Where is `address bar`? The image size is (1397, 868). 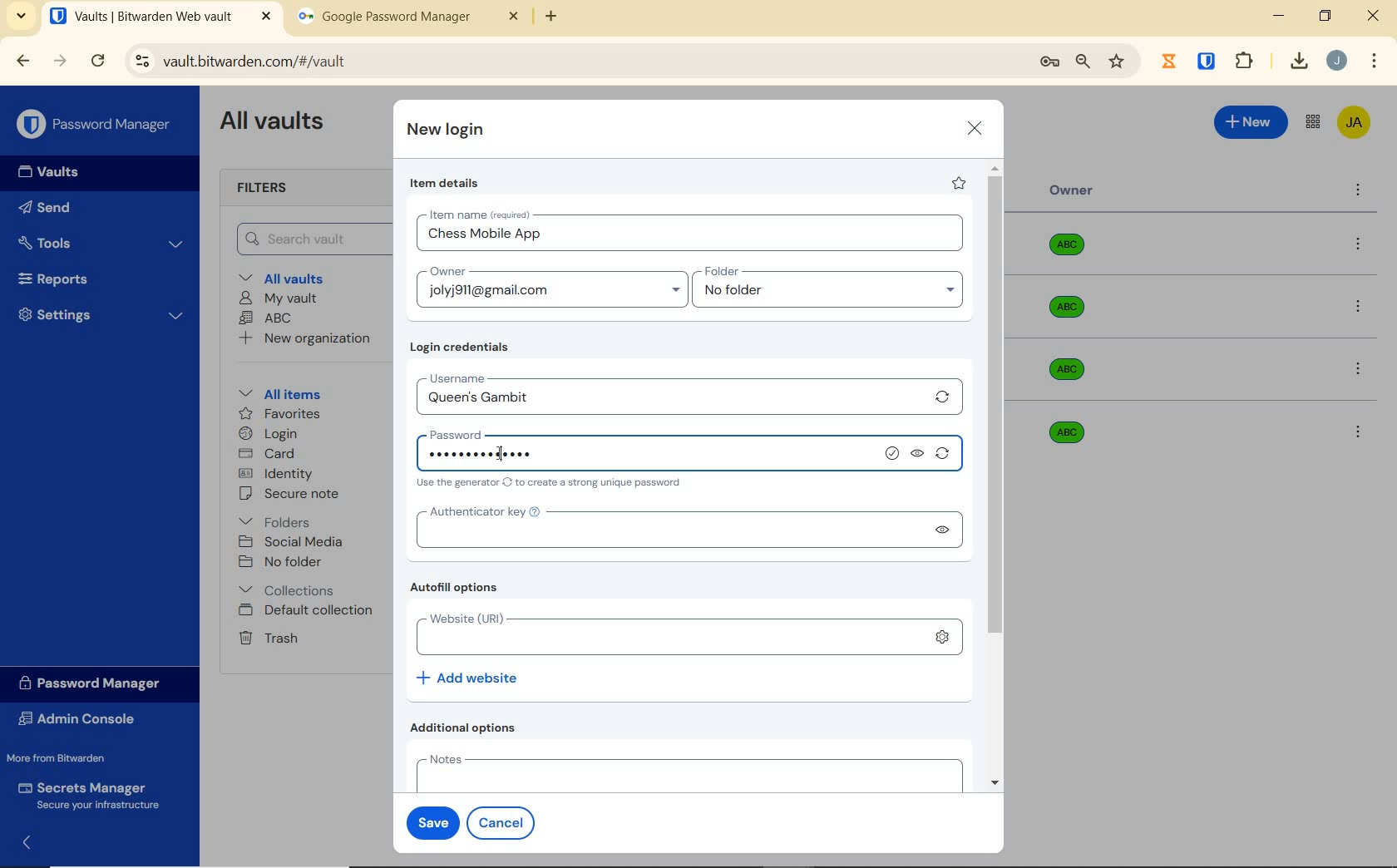
address bar is located at coordinates (573, 62).